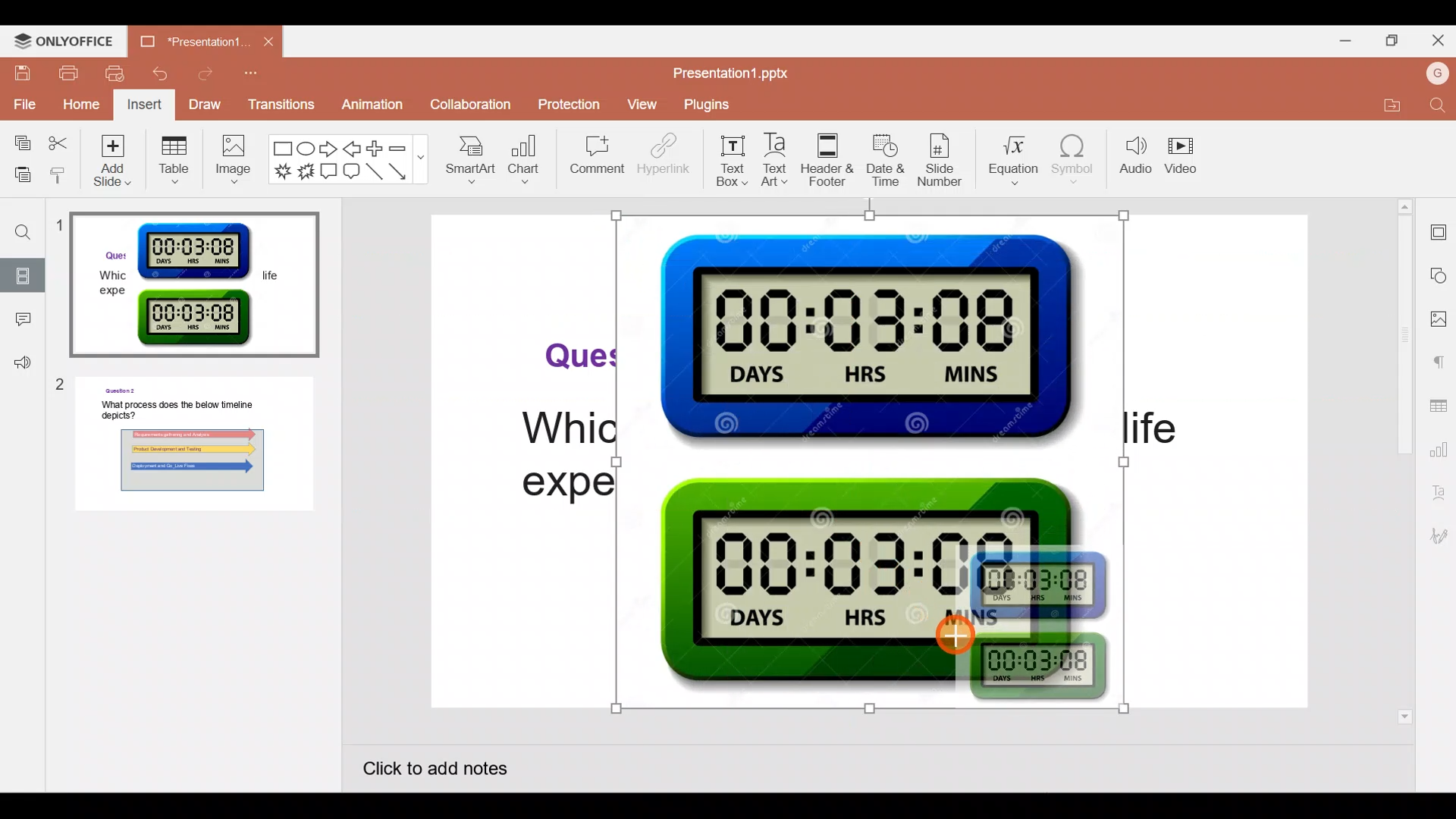 The width and height of the screenshot is (1456, 819). What do you see at coordinates (260, 76) in the screenshot?
I see `Customize quick access toolbar` at bounding box center [260, 76].